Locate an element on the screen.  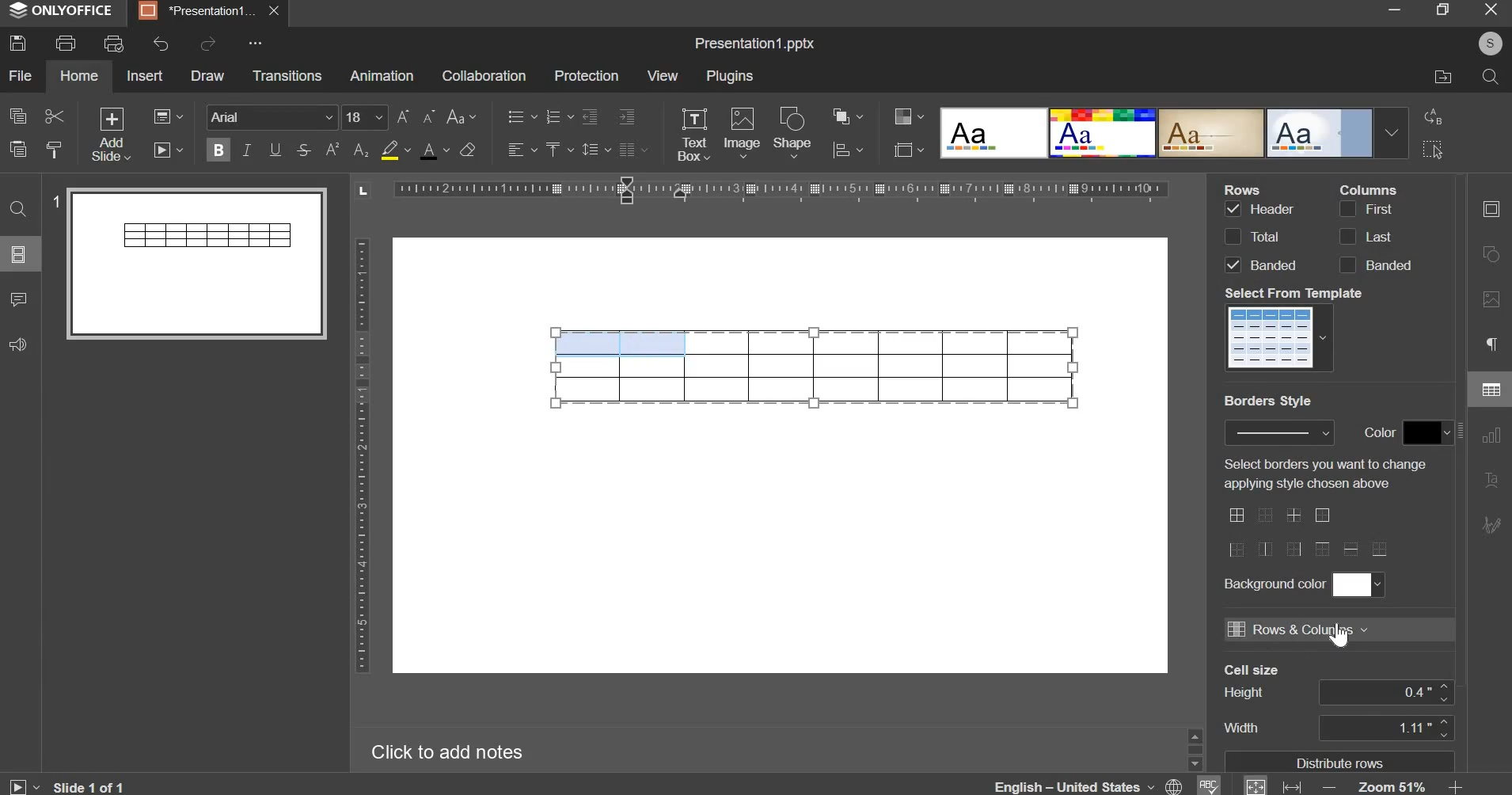
numbering is located at coordinates (557, 117).